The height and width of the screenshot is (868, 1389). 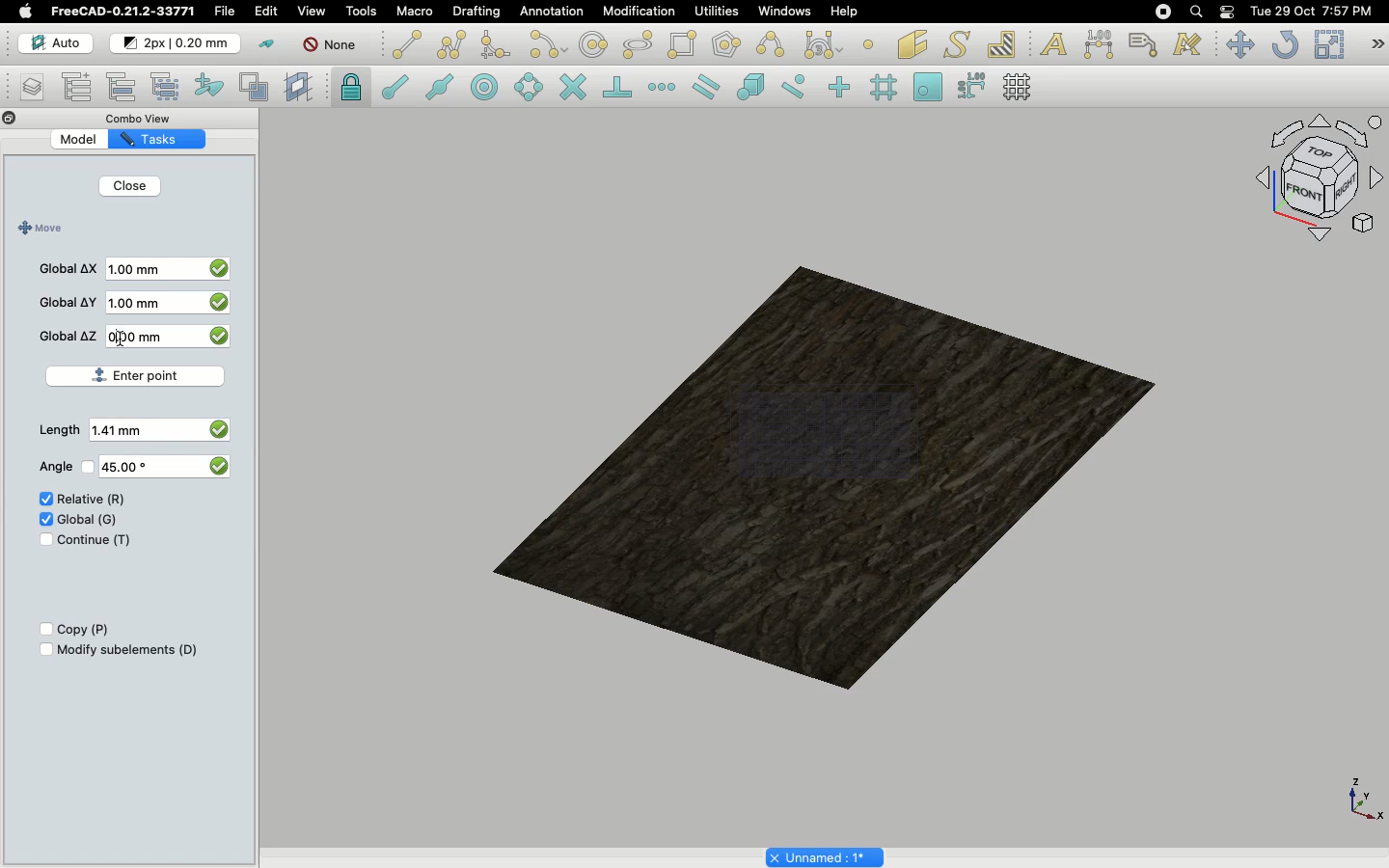 I want to click on 0.00 mm, so click(x=149, y=337).